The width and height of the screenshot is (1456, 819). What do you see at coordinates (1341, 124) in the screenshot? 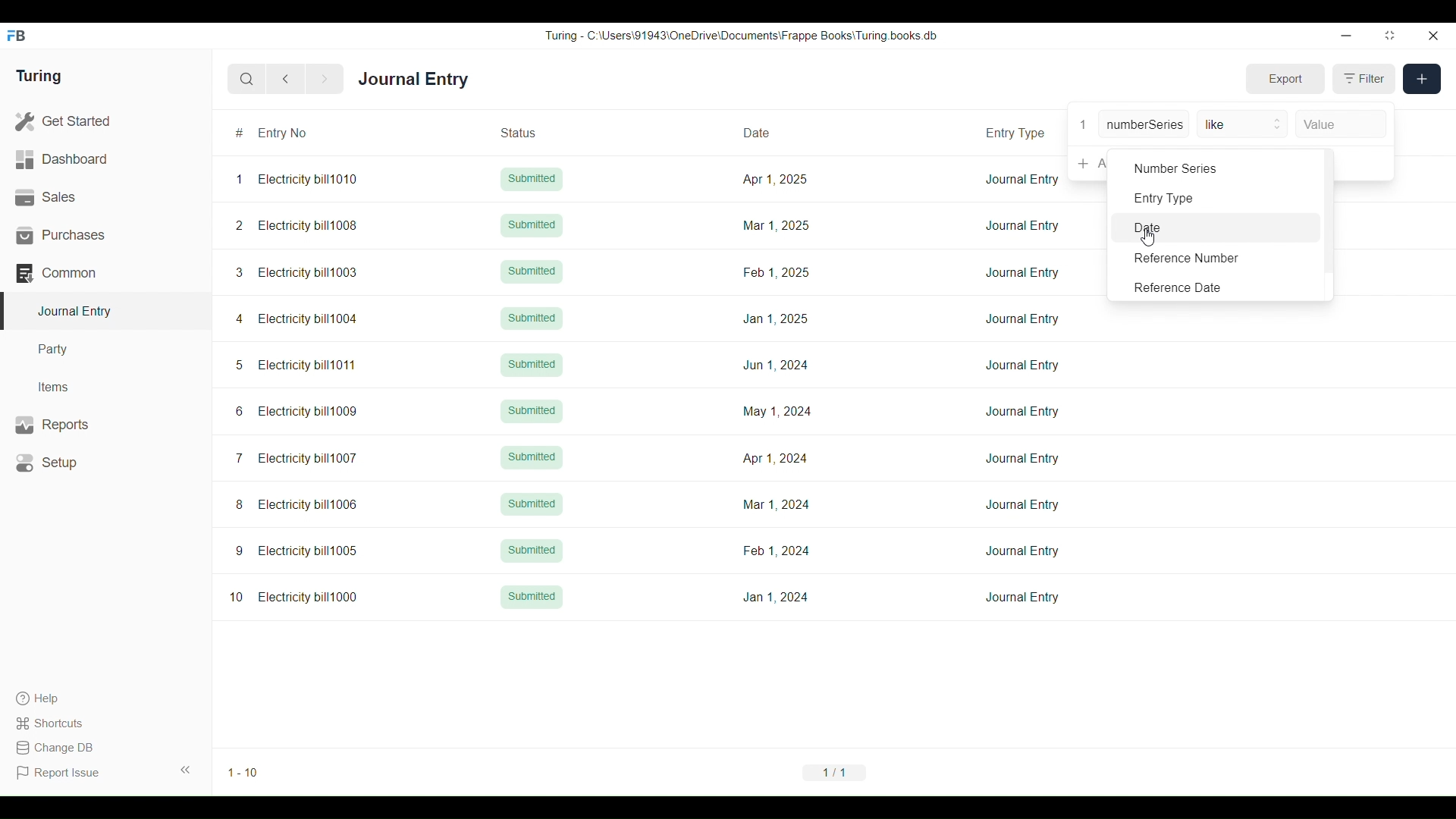
I see `Value` at bounding box center [1341, 124].